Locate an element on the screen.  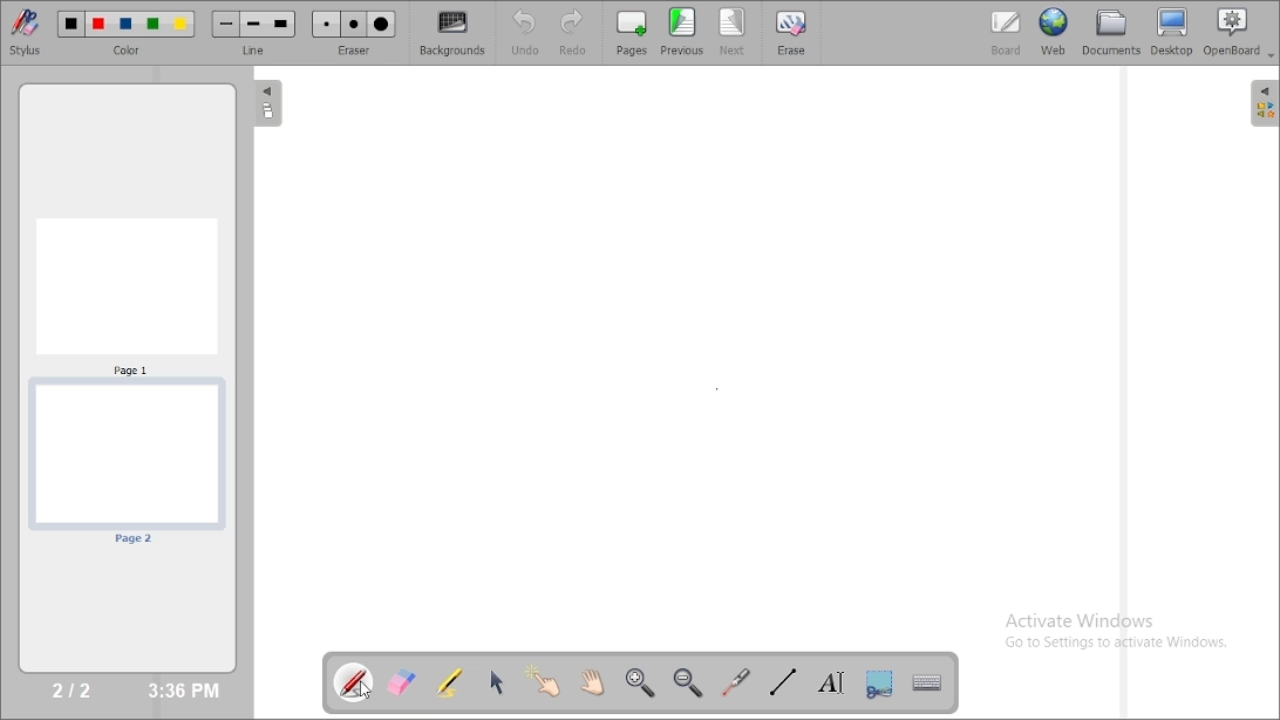
desktop is located at coordinates (1173, 32).